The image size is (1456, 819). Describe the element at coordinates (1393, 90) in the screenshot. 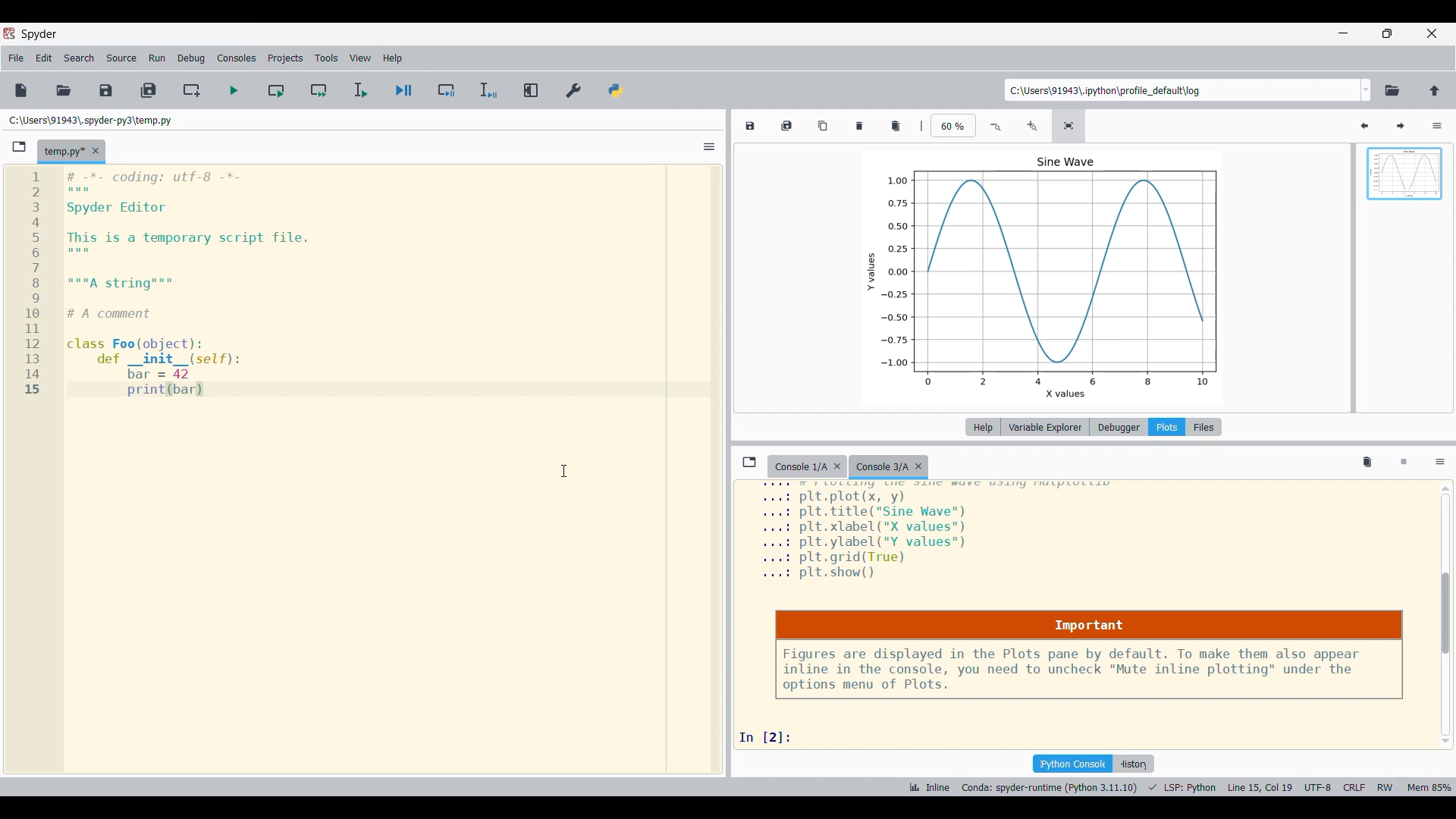

I see `Browse working directory` at that location.